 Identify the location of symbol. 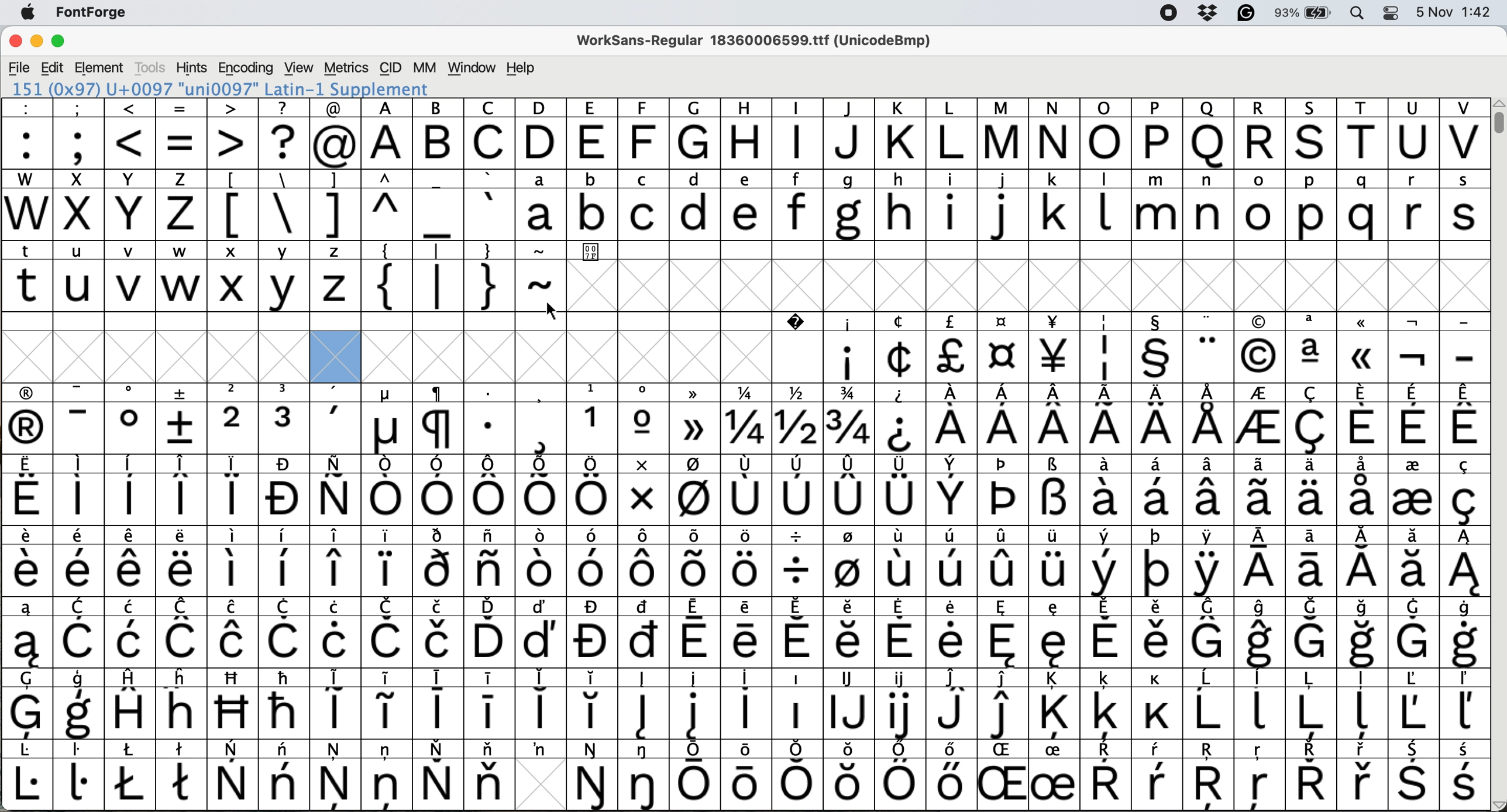
(901, 348).